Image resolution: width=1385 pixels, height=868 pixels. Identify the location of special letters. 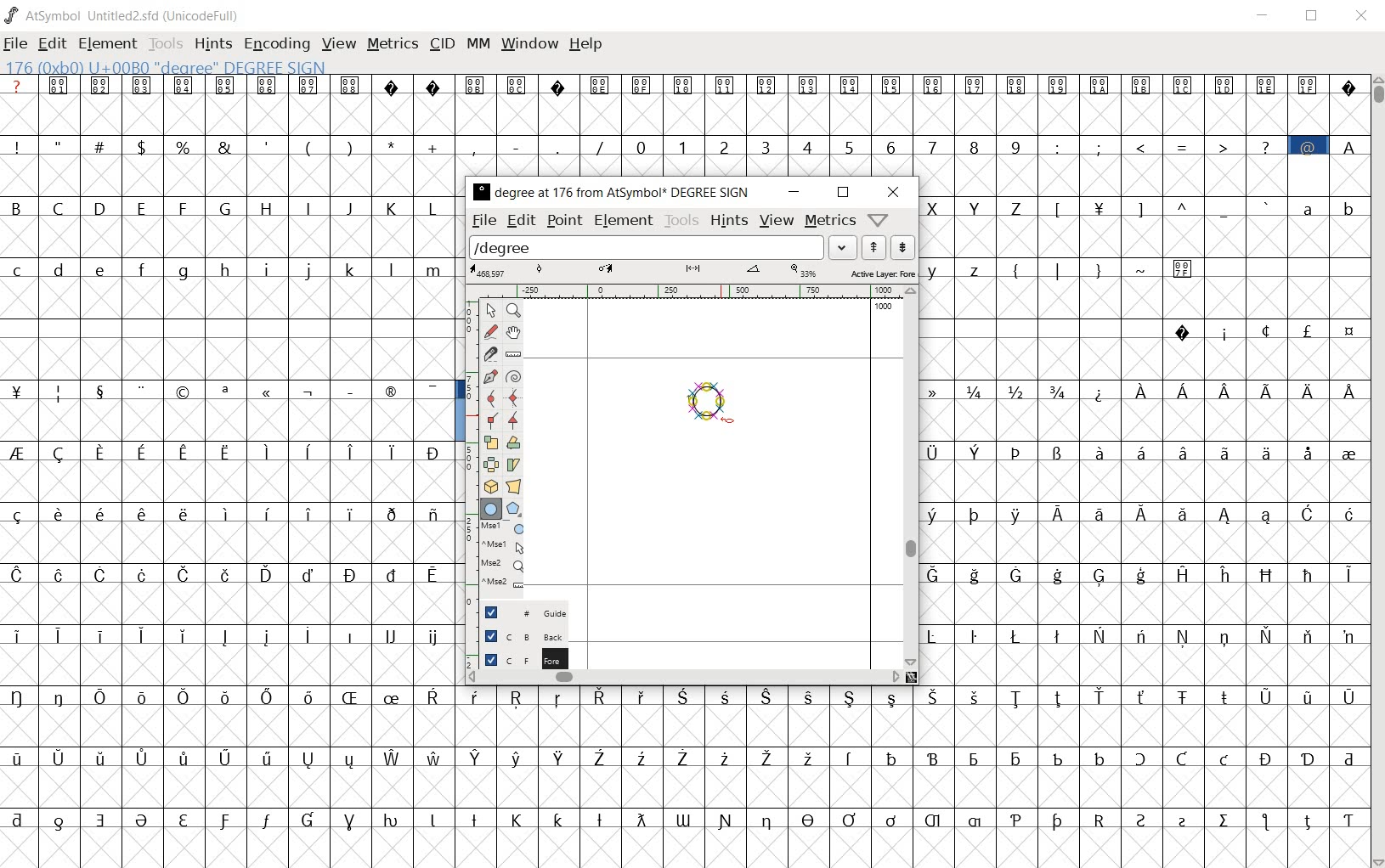
(910, 755).